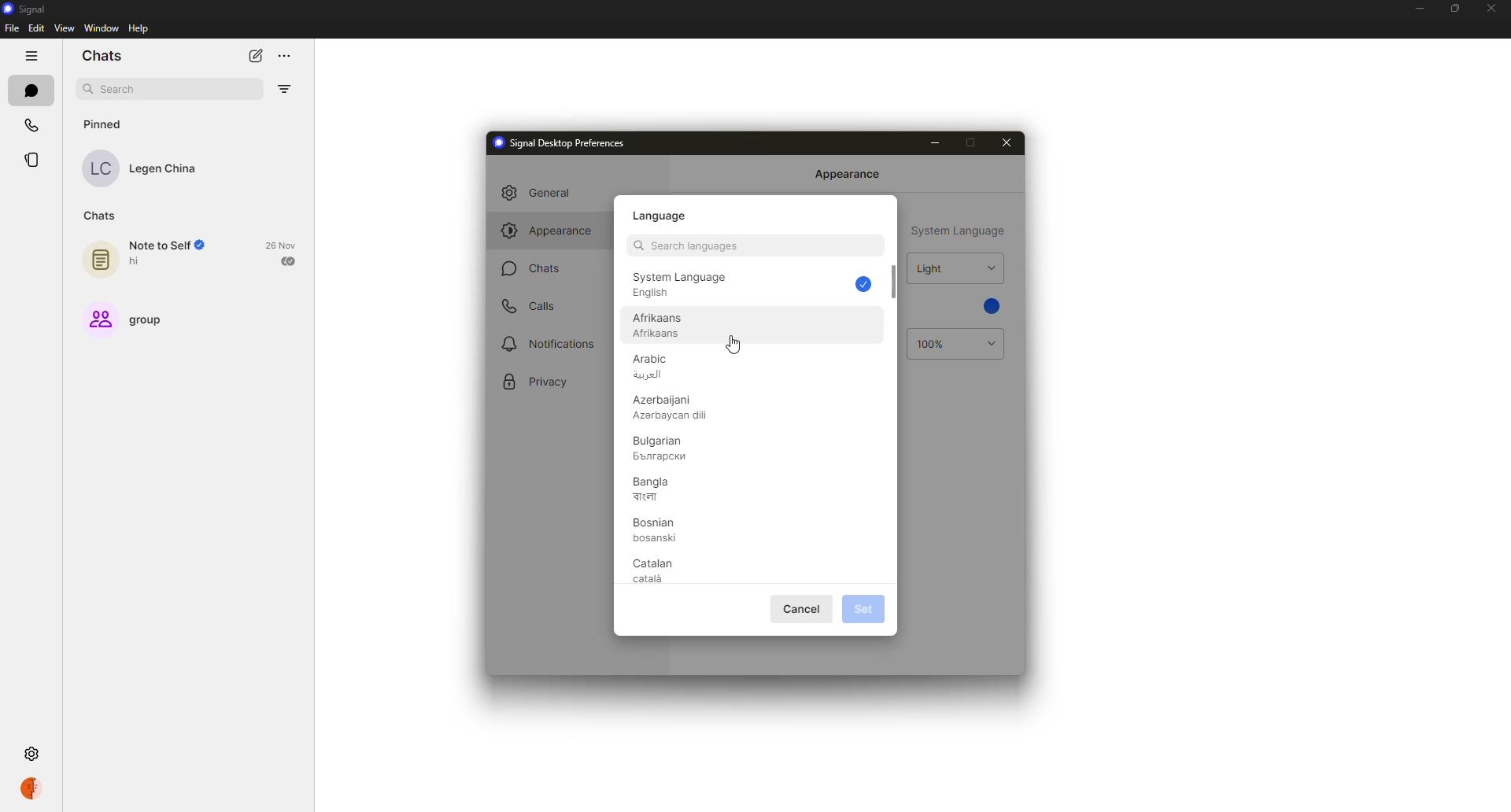  I want to click on pinned, so click(105, 124).